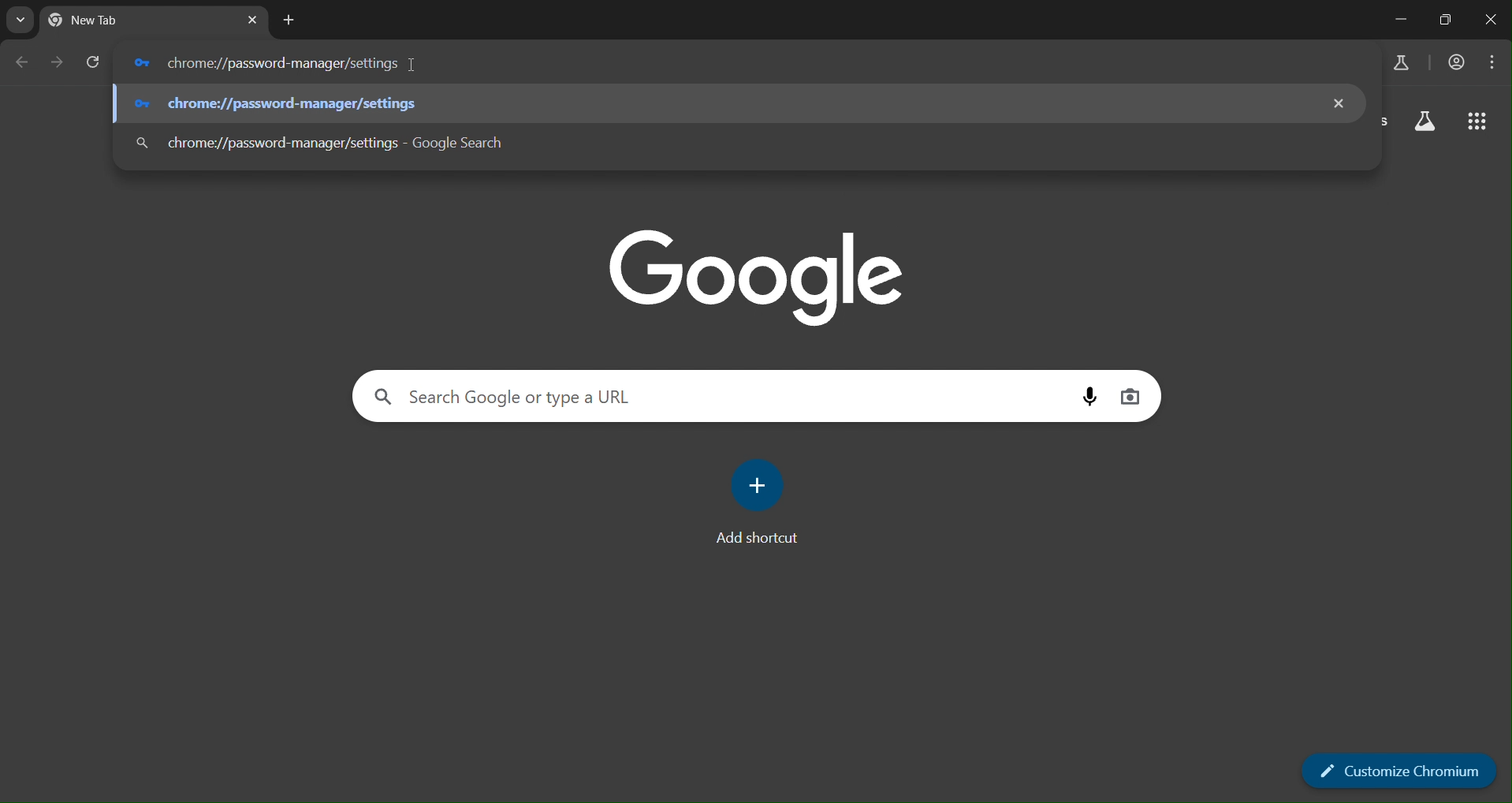 The image size is (1512, 803). I want to click on search google or type a URL, so click(719, 396).